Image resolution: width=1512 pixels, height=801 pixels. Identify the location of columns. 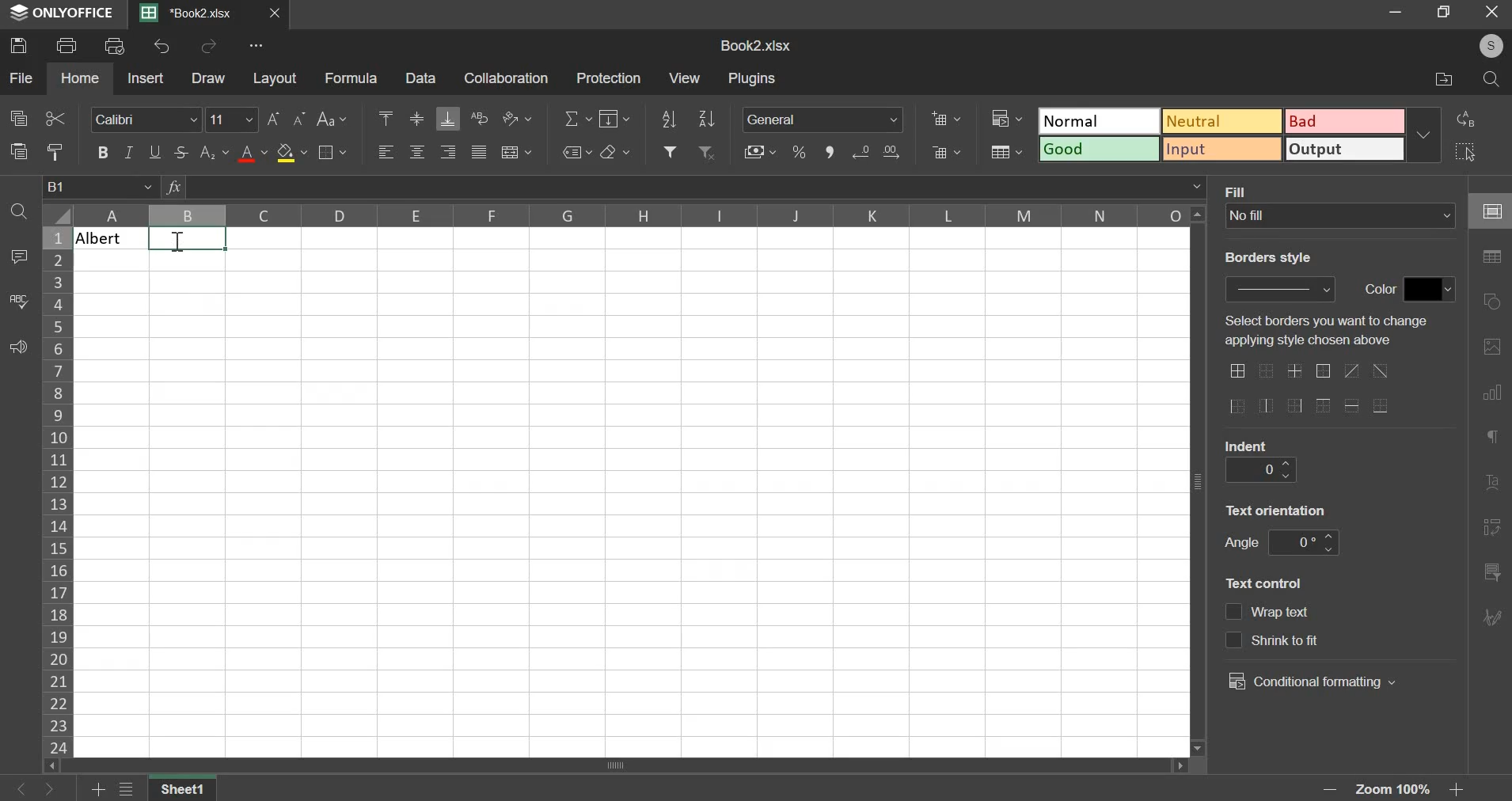
(630, 215).